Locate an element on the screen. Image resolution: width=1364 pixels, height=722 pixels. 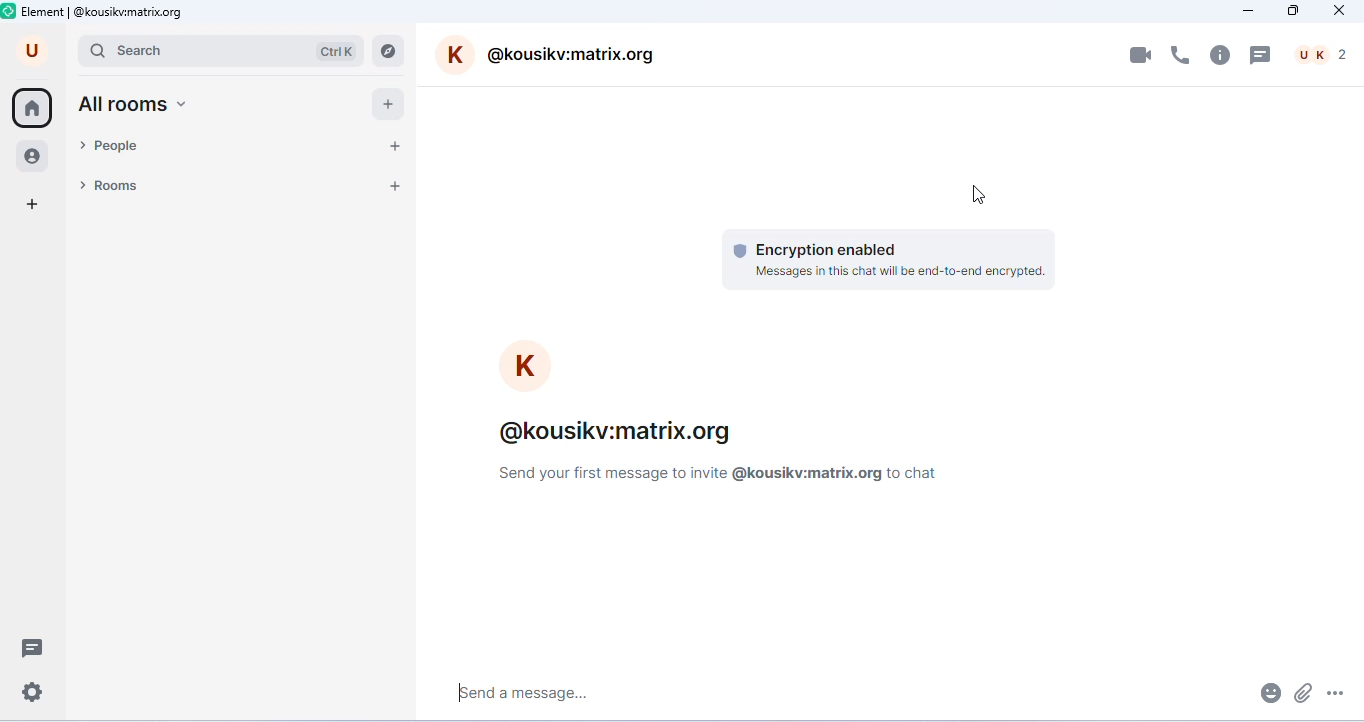
home is located at coordinates (32, 108).